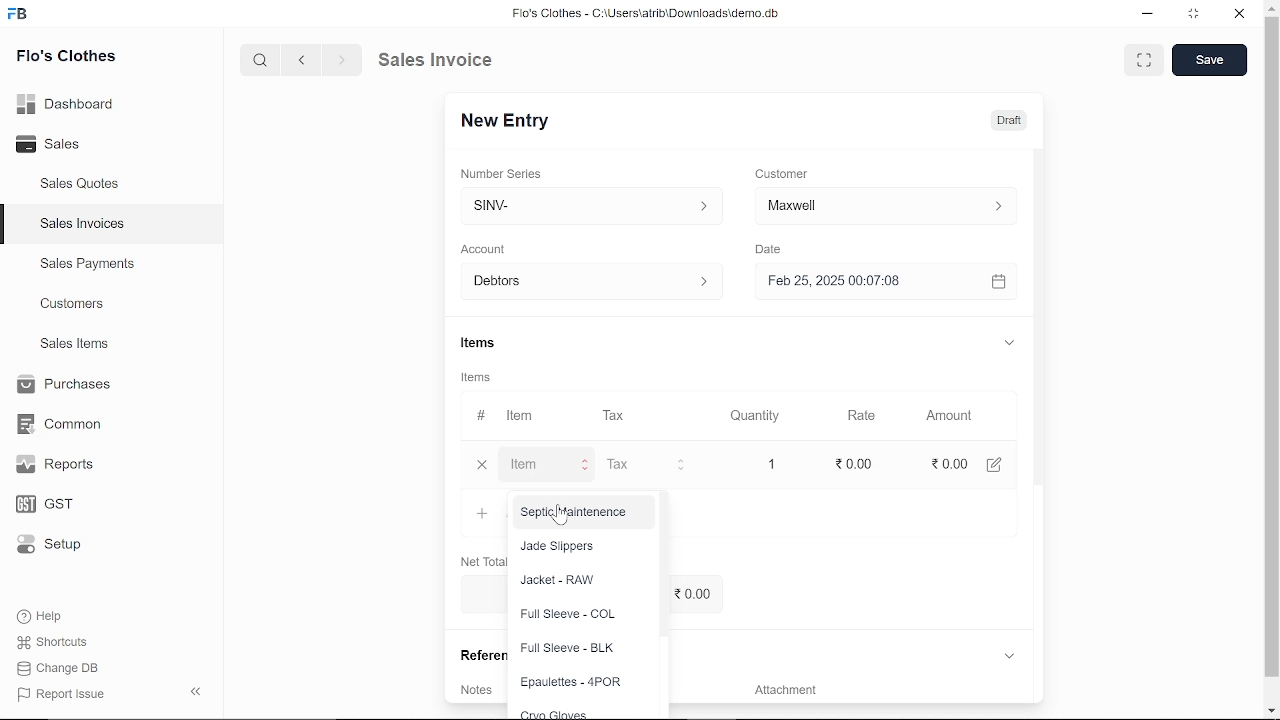  I want to click on Sales Quotes, so click(82, 186).